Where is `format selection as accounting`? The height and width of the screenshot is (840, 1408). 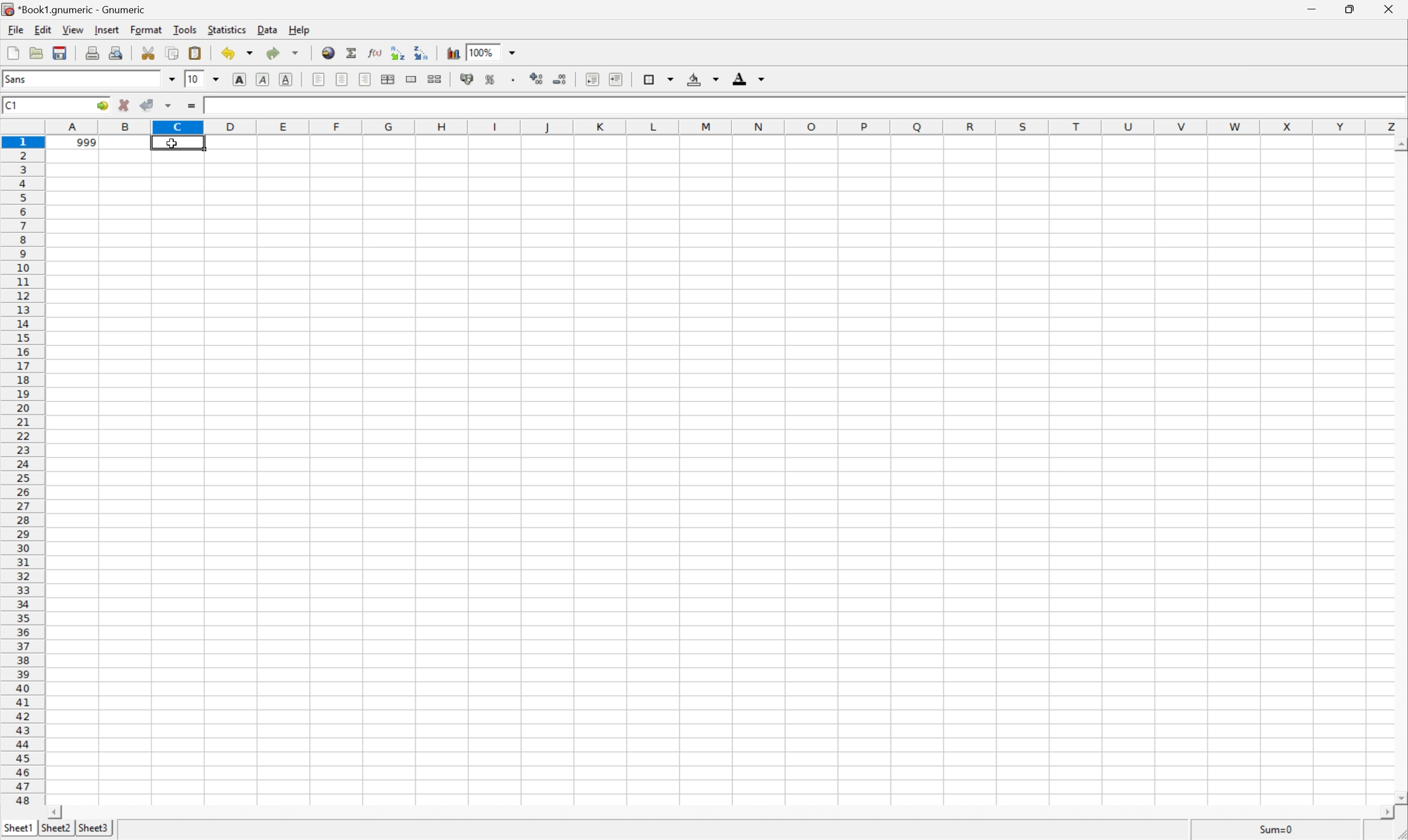
format selection as accounting is located at coordinates (468, 80).